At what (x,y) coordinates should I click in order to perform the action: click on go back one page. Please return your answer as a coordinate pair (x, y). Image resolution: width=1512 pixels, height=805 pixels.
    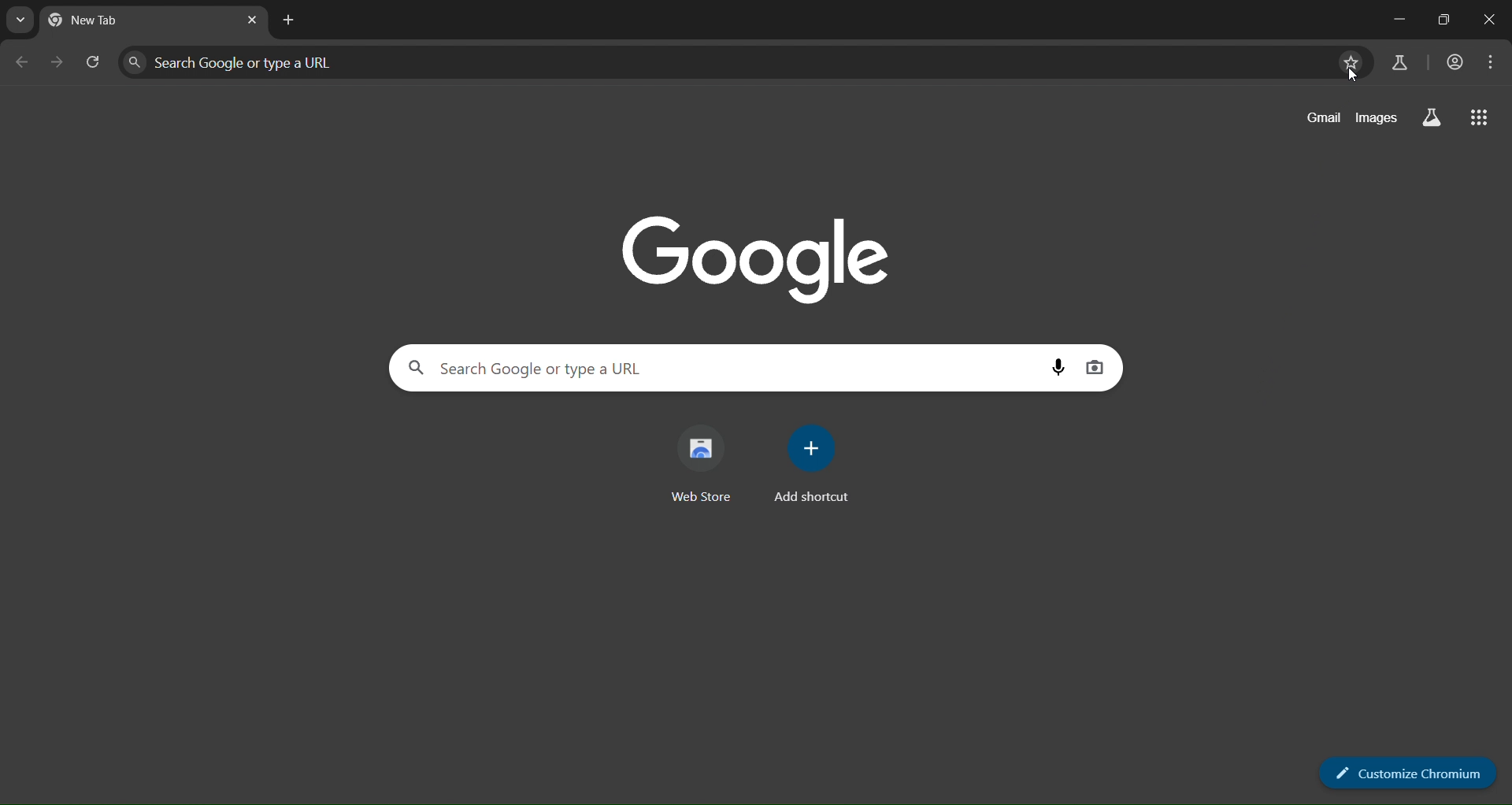
    Looking at the image, I should click on (23, 63).